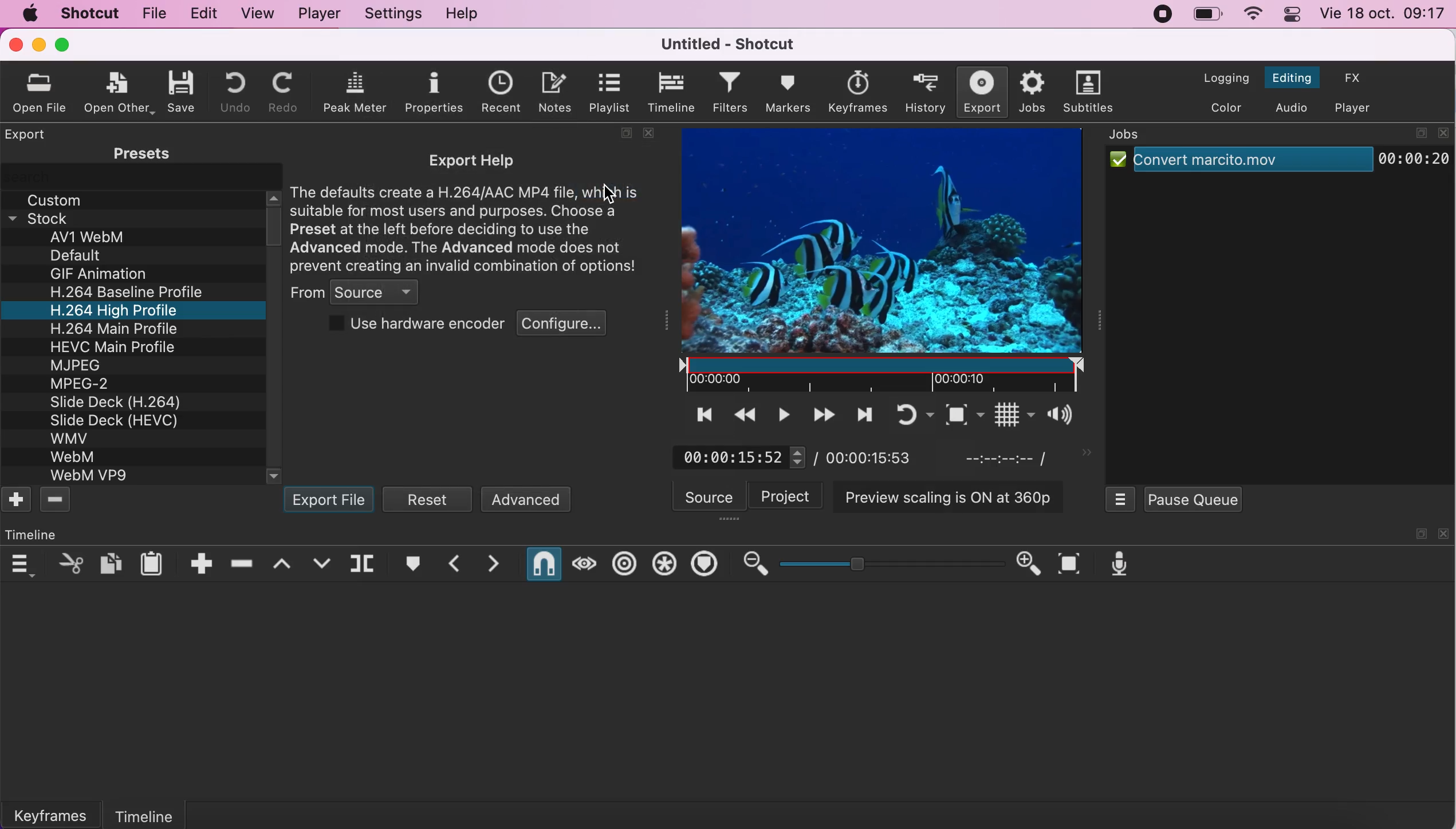 The height and width of the screenshot is (829, 1456). Describe the element at coordinates (82, 254) in the screenshot. I see `Default` at that location.